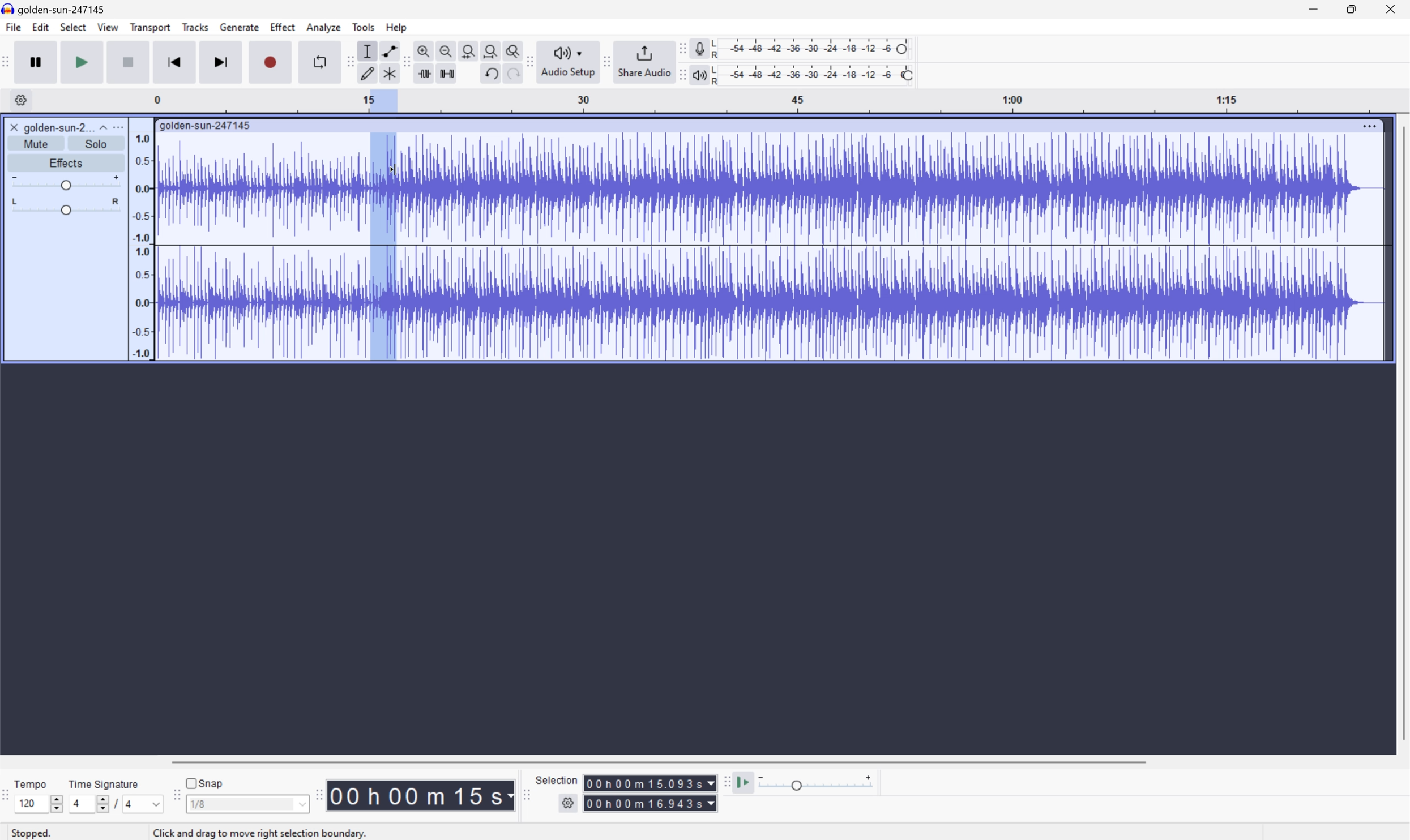 This screenshot has width=1410, height=840. I want to click on Solo, so click(98, 144).